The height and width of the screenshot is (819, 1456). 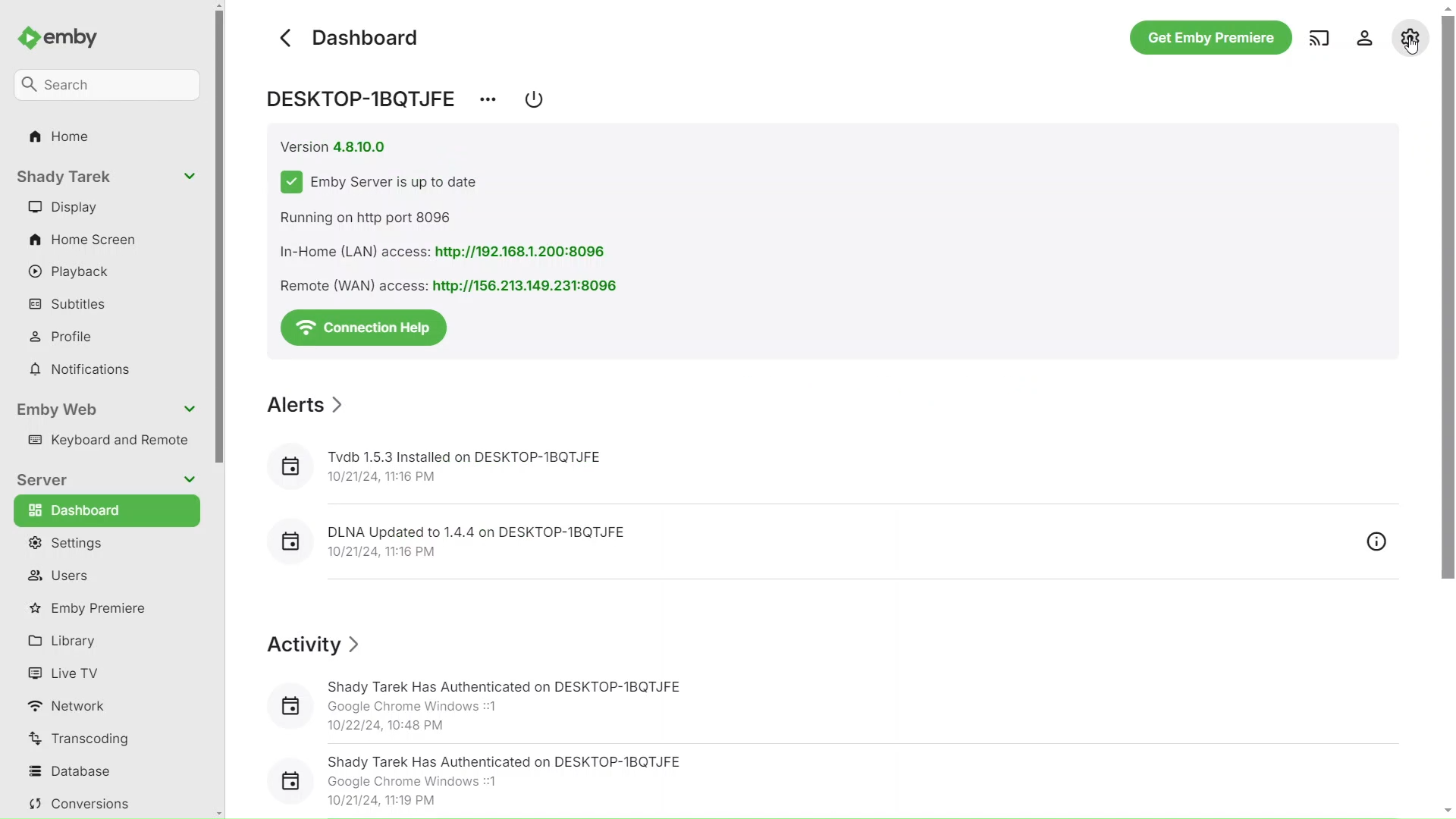 I want to click on get emby premiere, so click(x=1211, y=38).